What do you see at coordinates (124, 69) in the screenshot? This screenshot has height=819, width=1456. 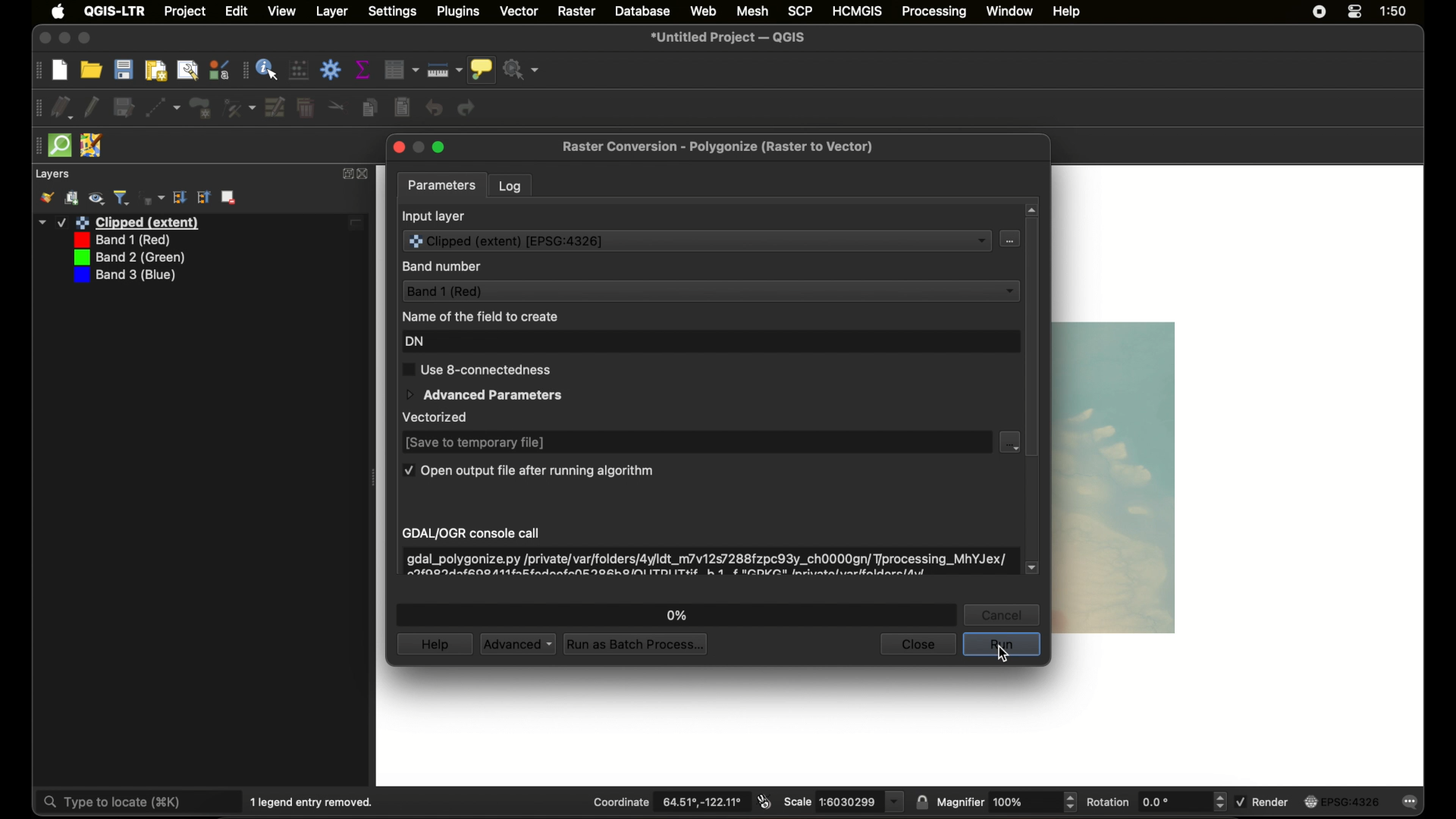 I see `save` at bounding box center [124, 69].